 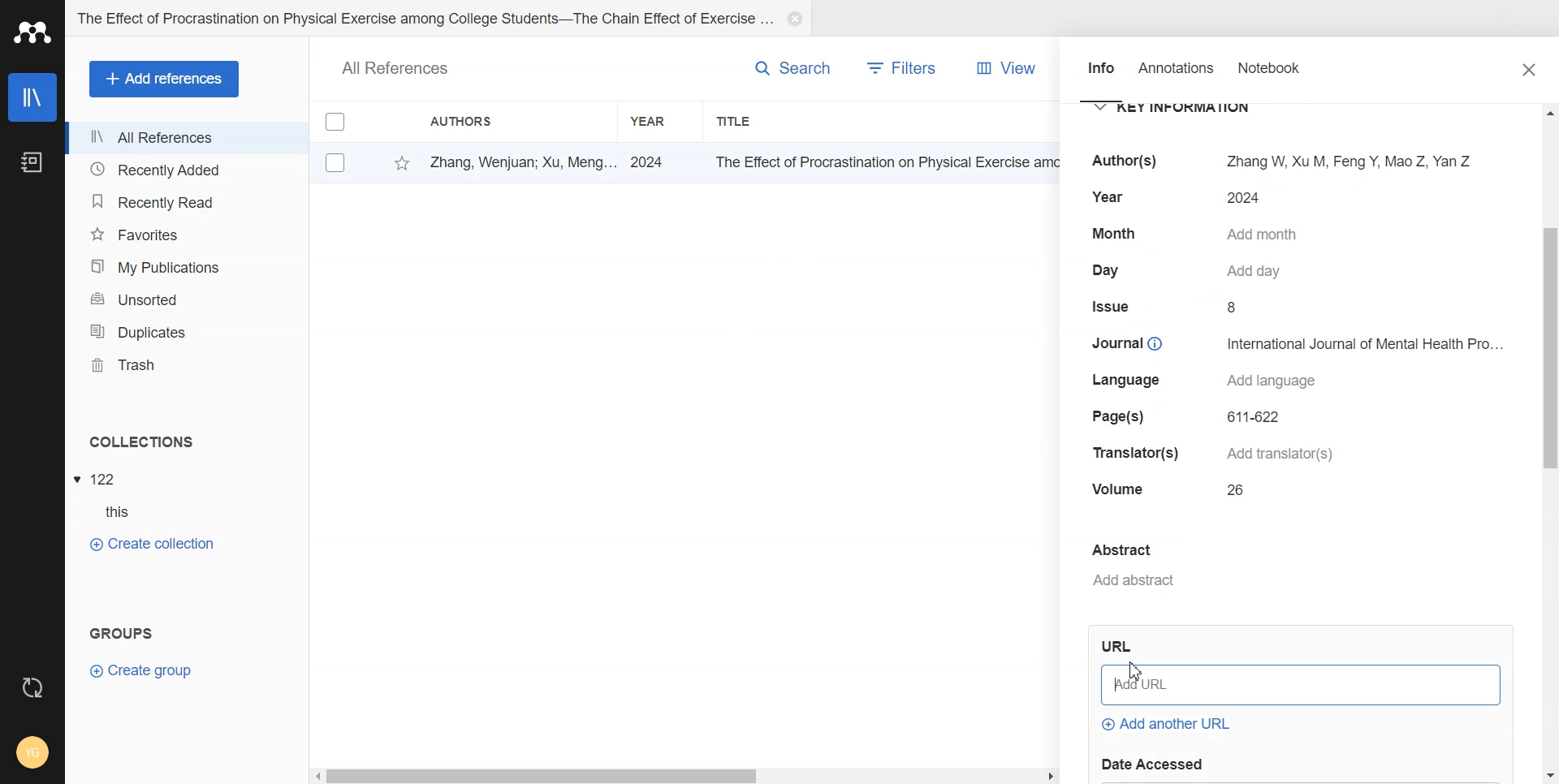 I want to click on Unsorted, so click(x=187, y=298).